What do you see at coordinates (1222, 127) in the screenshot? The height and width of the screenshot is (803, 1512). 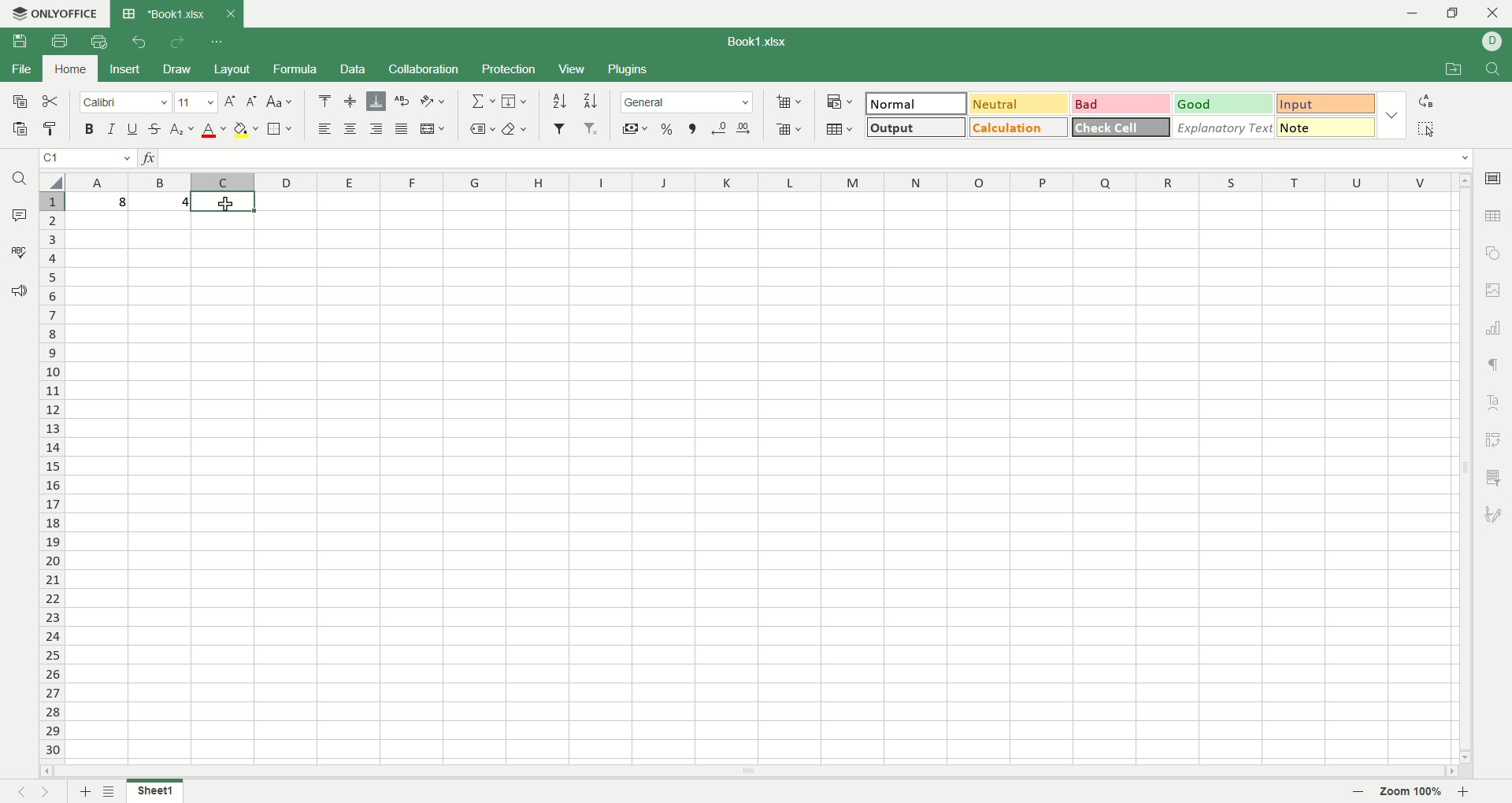 I see `explanatory text` at bounding box center [1222, 127].